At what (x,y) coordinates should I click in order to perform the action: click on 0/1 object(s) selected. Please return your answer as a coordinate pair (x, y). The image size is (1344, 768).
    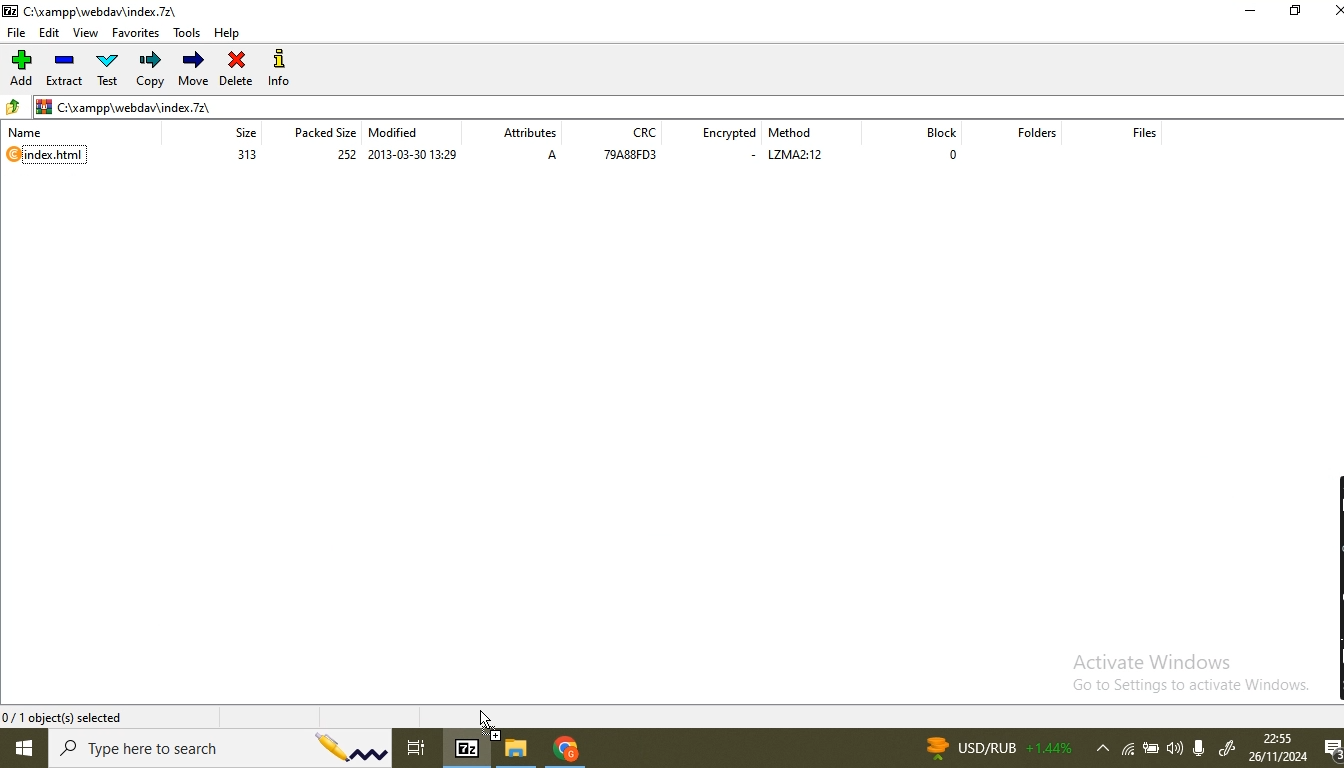
    Looking at the image, I should click on (65, 715).